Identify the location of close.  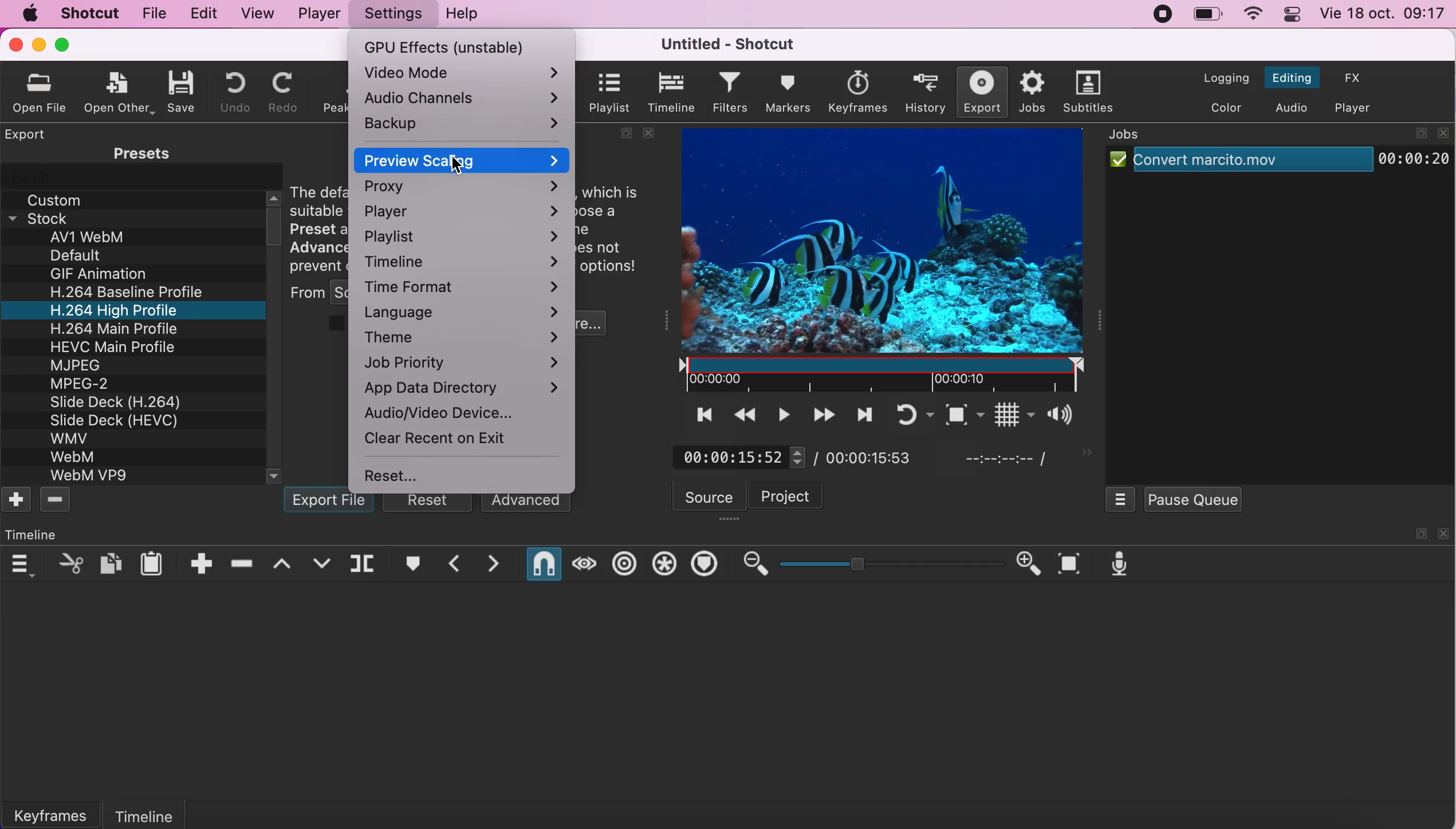
(1443, 133).